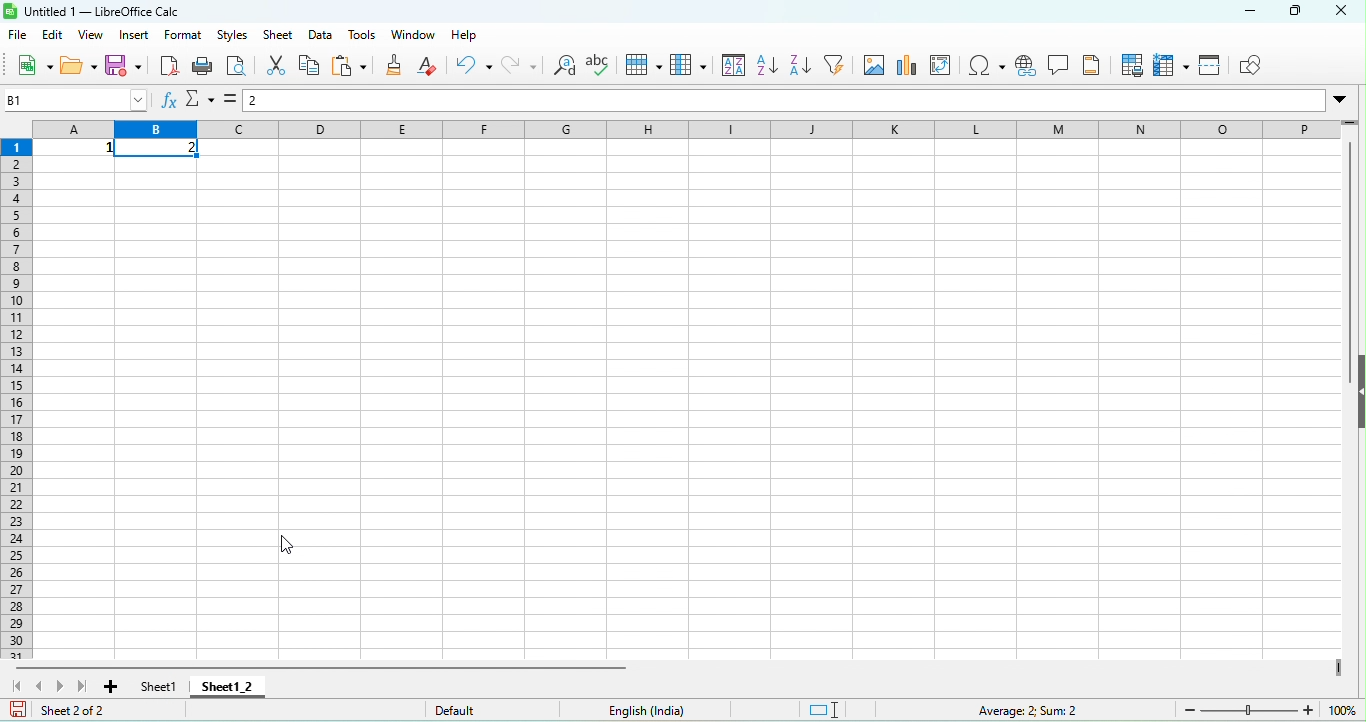  What do you see at coordinates (765, 68) in the screenshot?
I see `sort ascending` at bounding box center [765, 68].